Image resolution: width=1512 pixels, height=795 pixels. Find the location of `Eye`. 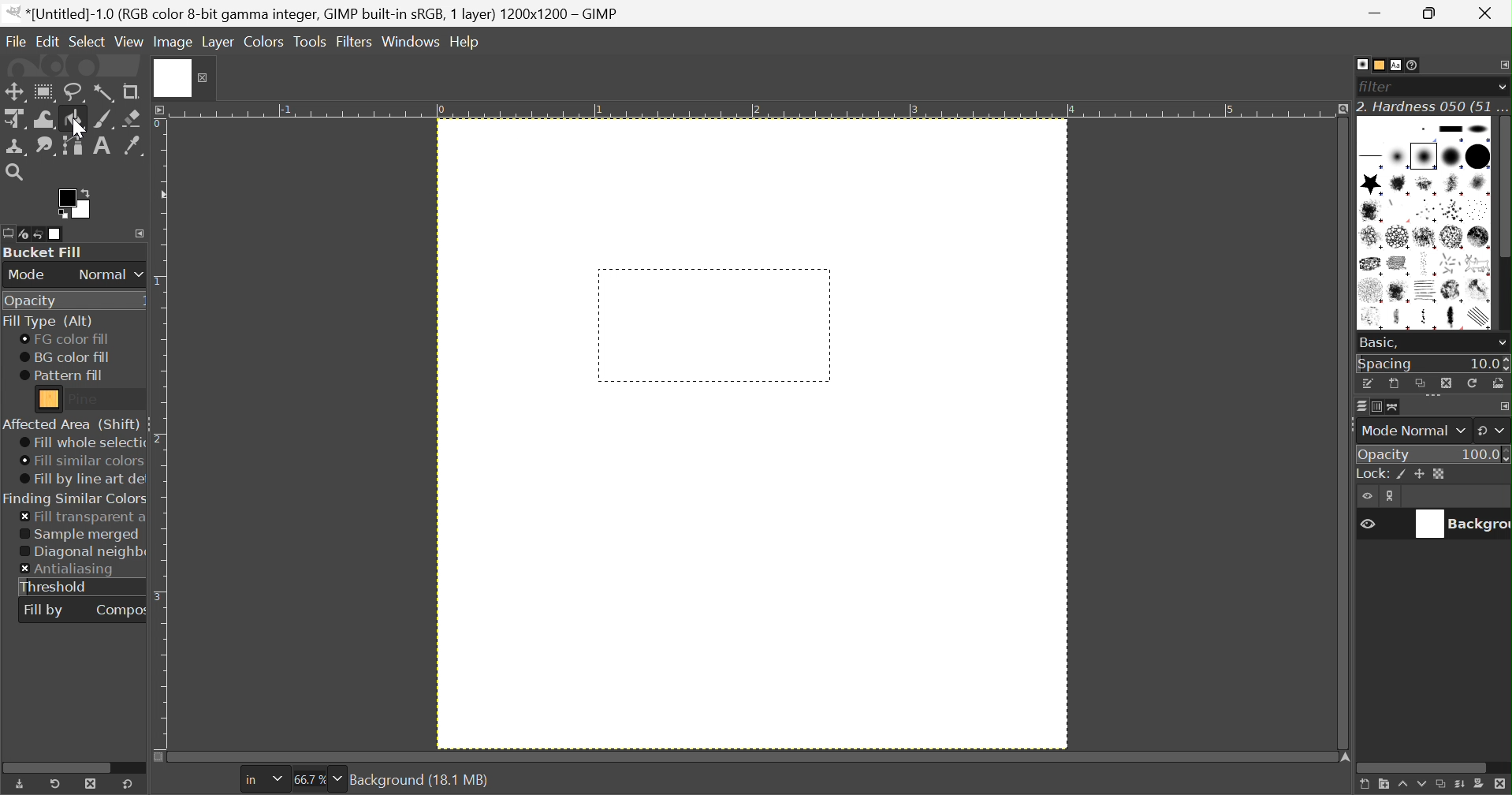

Eye is located at coordinates (1366, 522).